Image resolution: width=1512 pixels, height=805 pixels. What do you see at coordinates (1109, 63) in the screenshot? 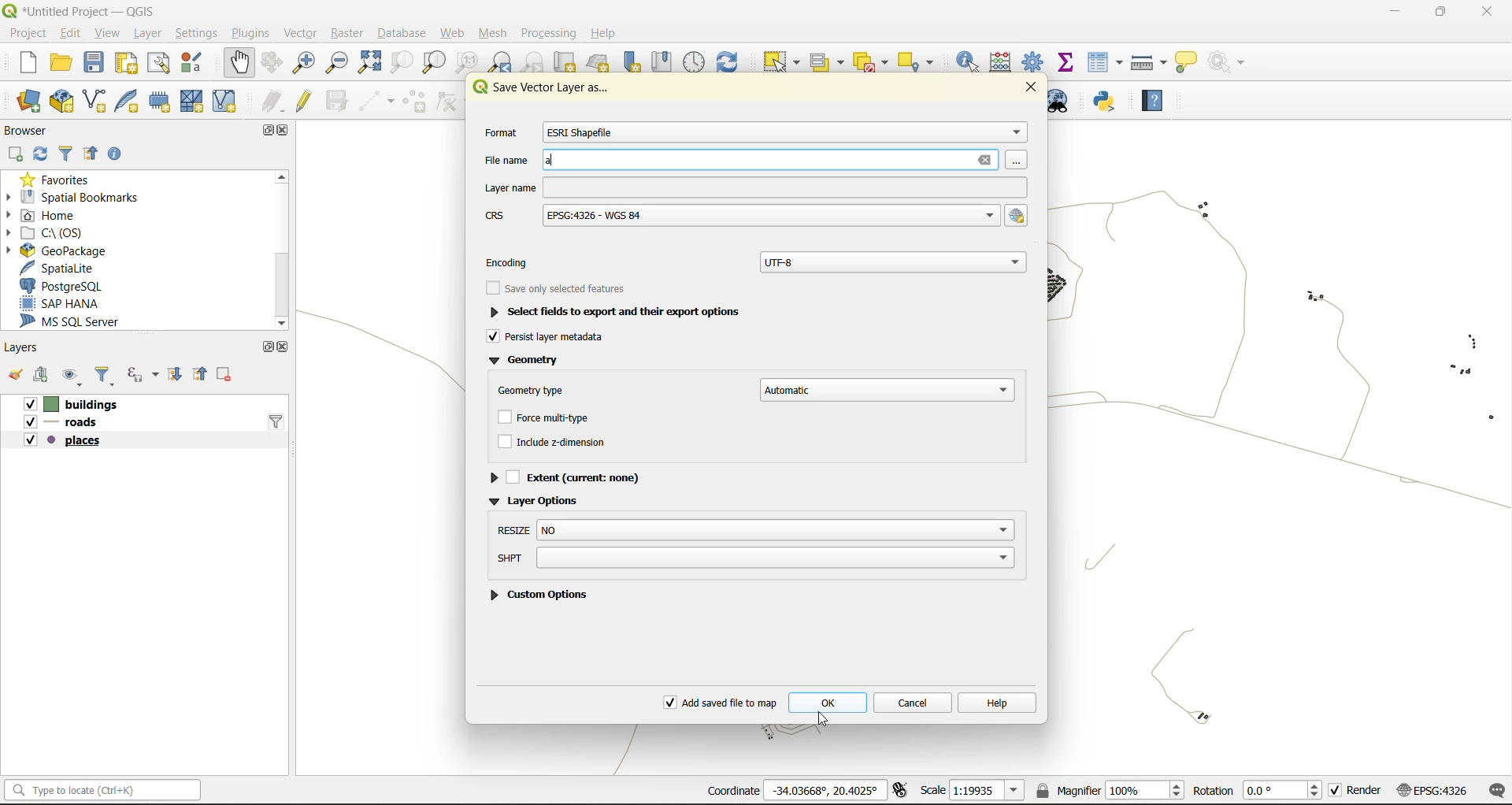
I see `attributes table` at bounding box center [1109, 63].